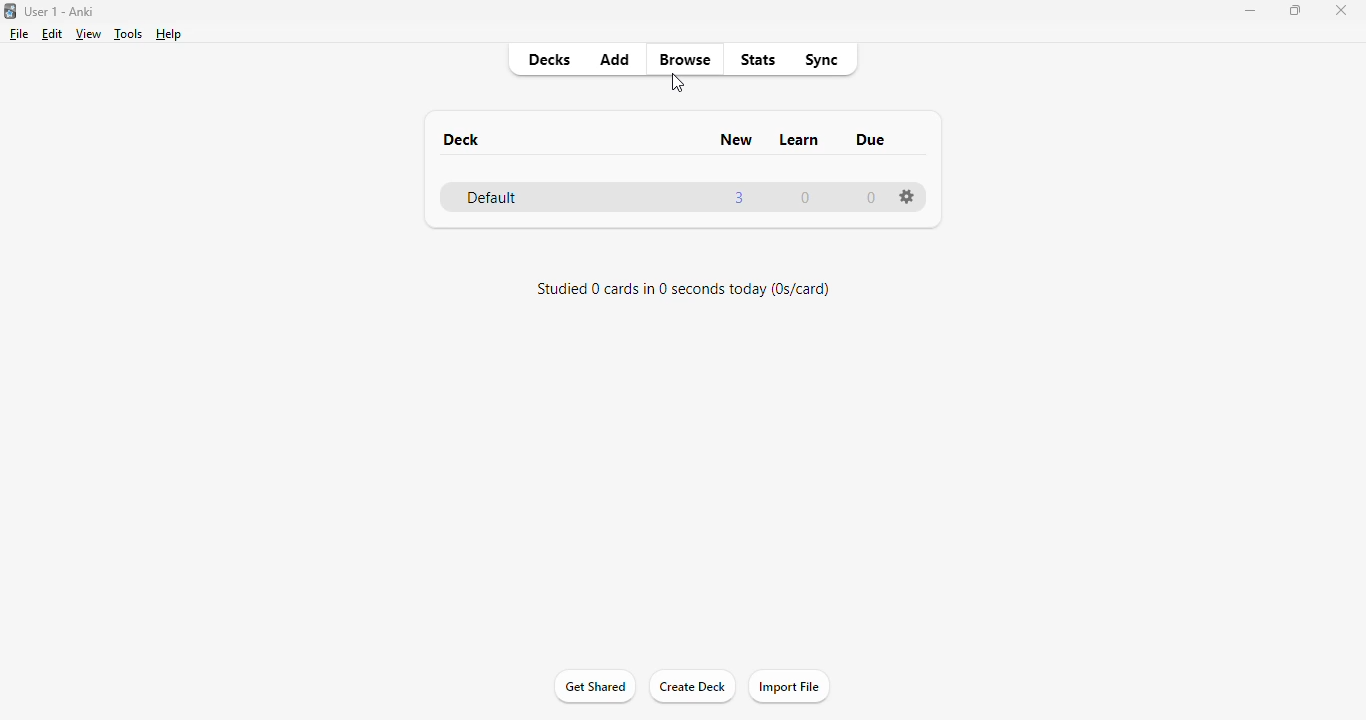 This screenshot has height=720, width=1366. Describe the element at coordinates (550, 59) in the screenshot. I see `decks` at that location.